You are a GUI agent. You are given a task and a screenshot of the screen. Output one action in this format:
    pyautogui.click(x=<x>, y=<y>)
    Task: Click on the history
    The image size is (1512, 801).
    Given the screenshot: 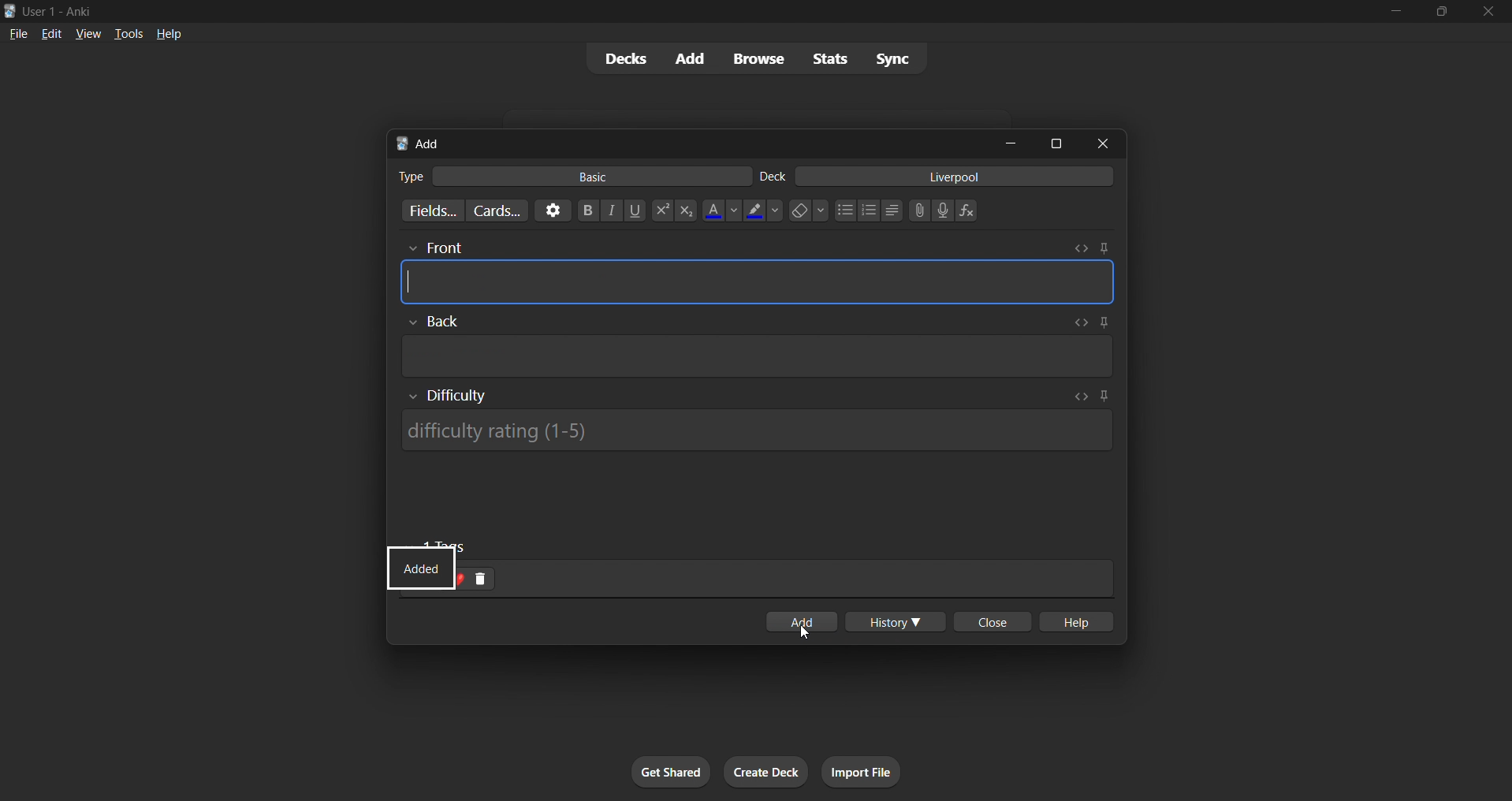 What is the action you would take?
    pyautogui.click(x=898, y=623)
    